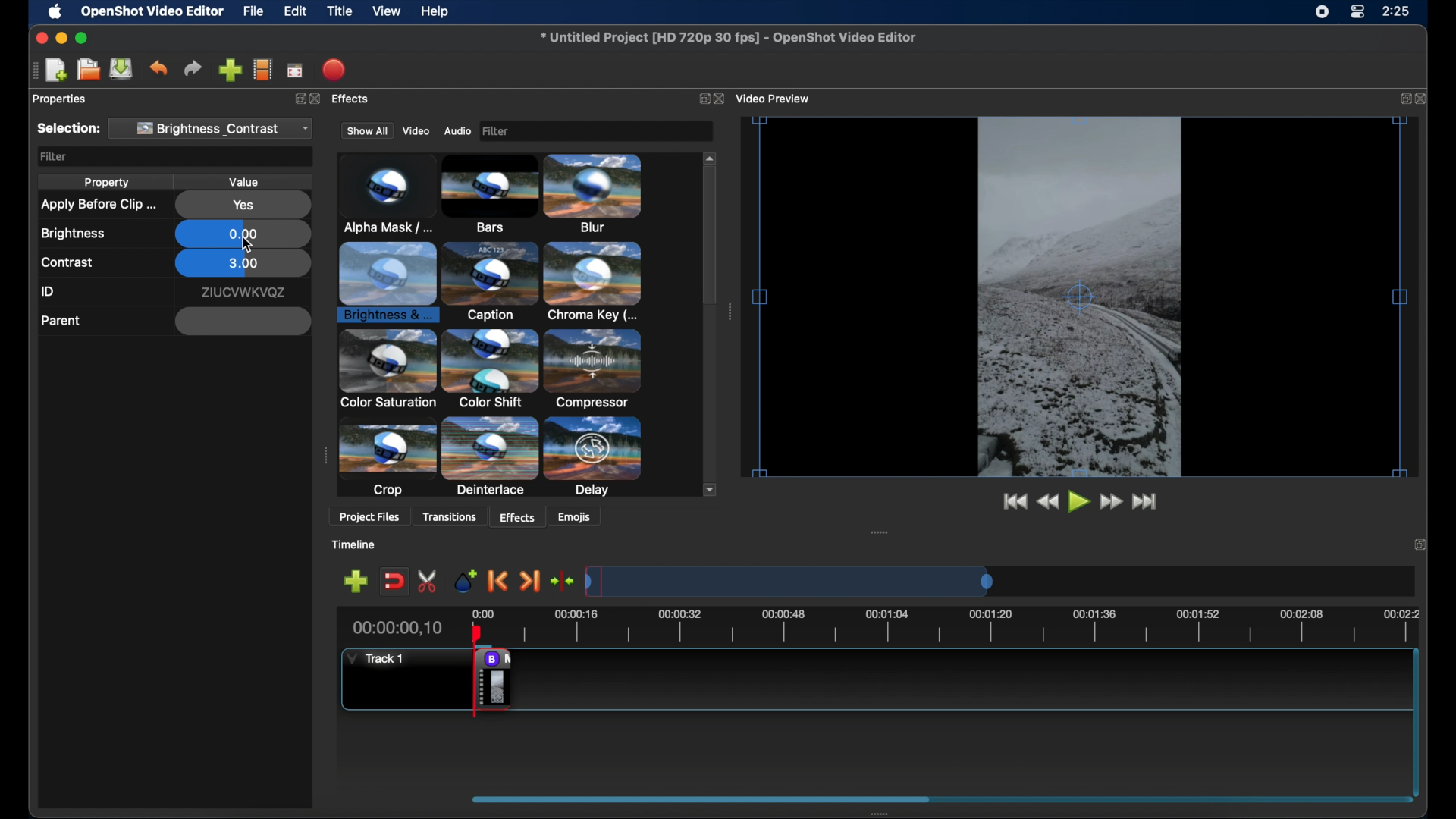 This screenshot has width=1456, height=819. What do you see at coordinates (295, 71) in the screenshot?
I see `full screen` at bounding box center [295, 71].